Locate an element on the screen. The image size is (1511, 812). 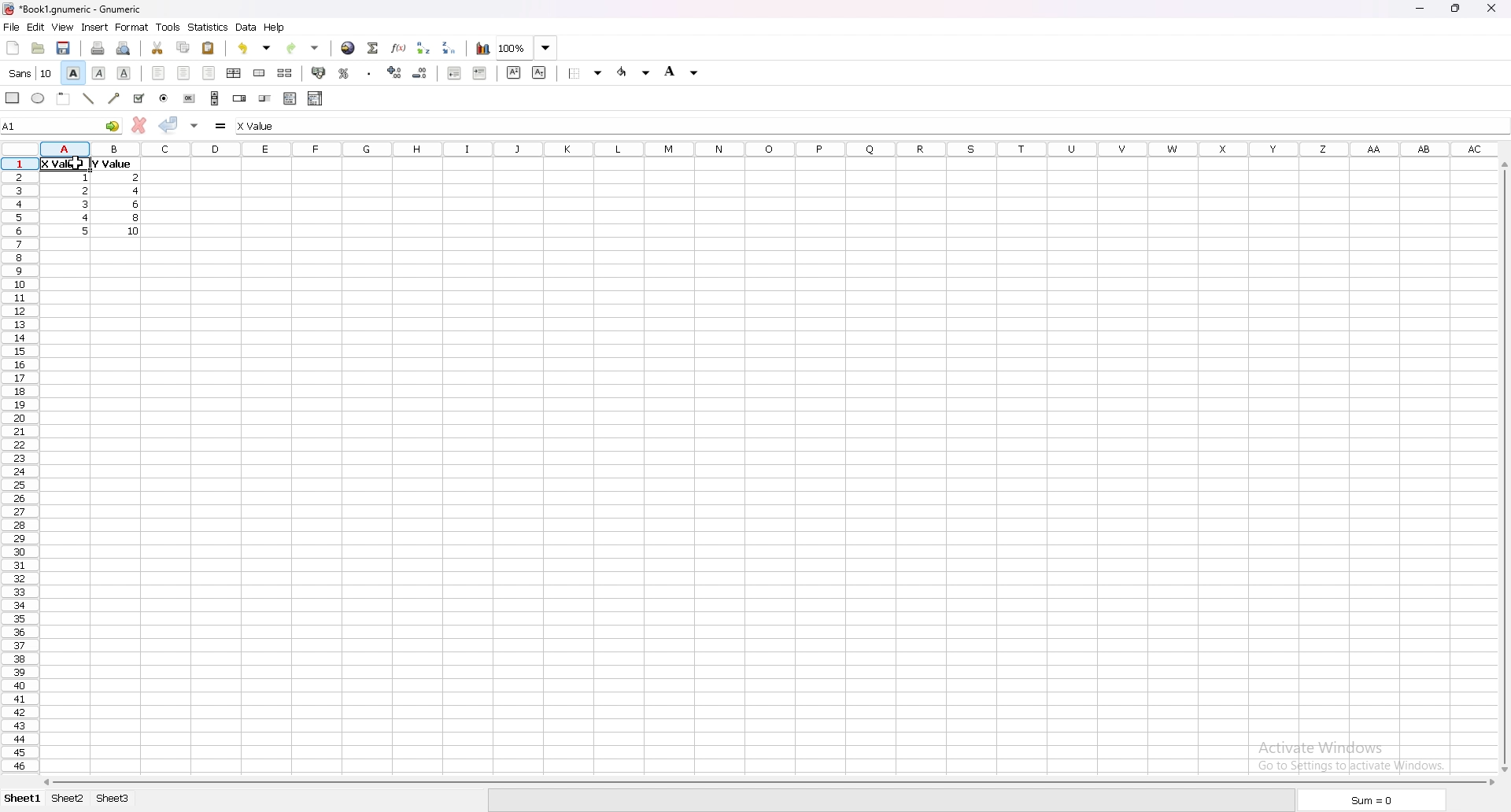
value is located at coordinates (137, 218).